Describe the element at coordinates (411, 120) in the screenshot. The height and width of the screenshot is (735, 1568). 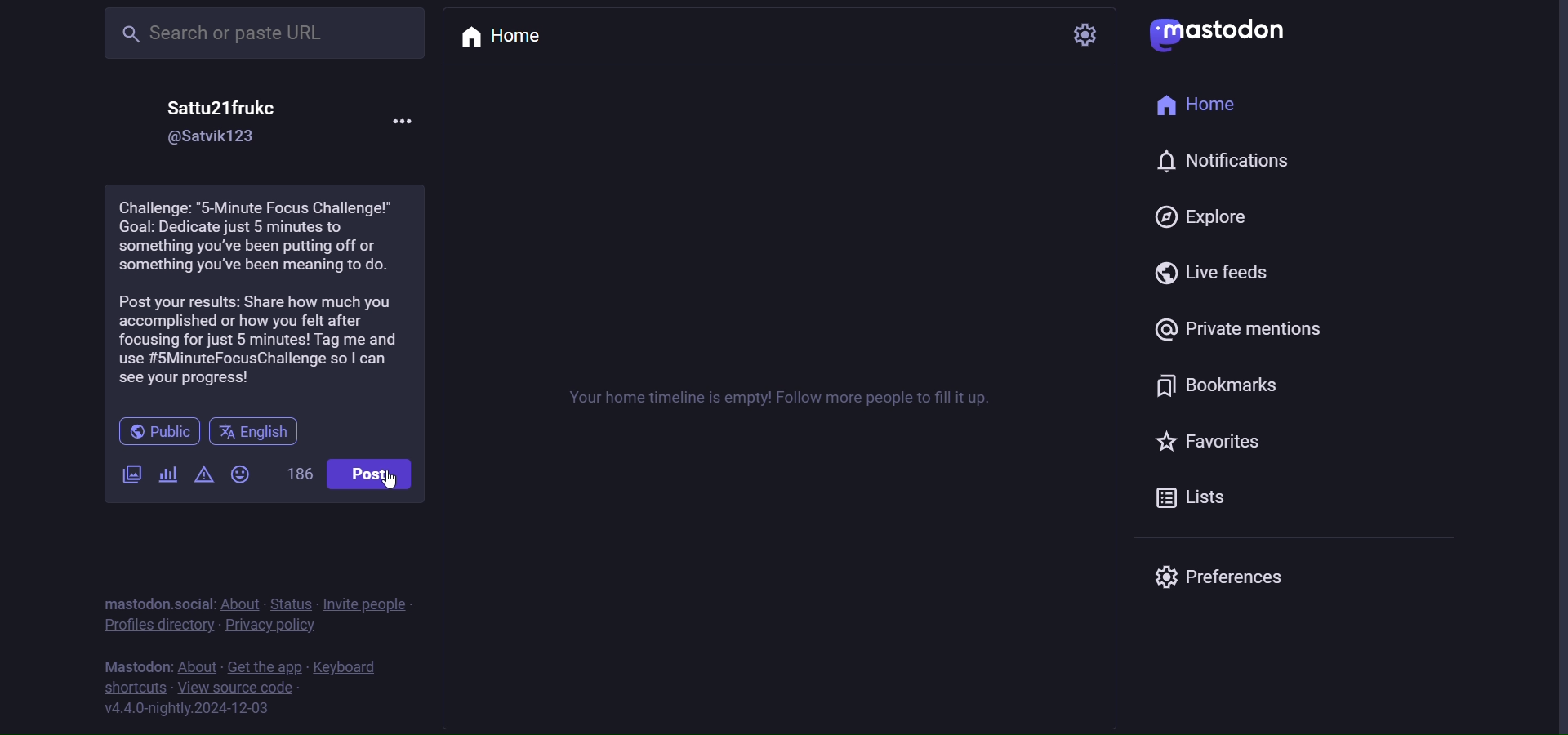
I see `more` at that location.